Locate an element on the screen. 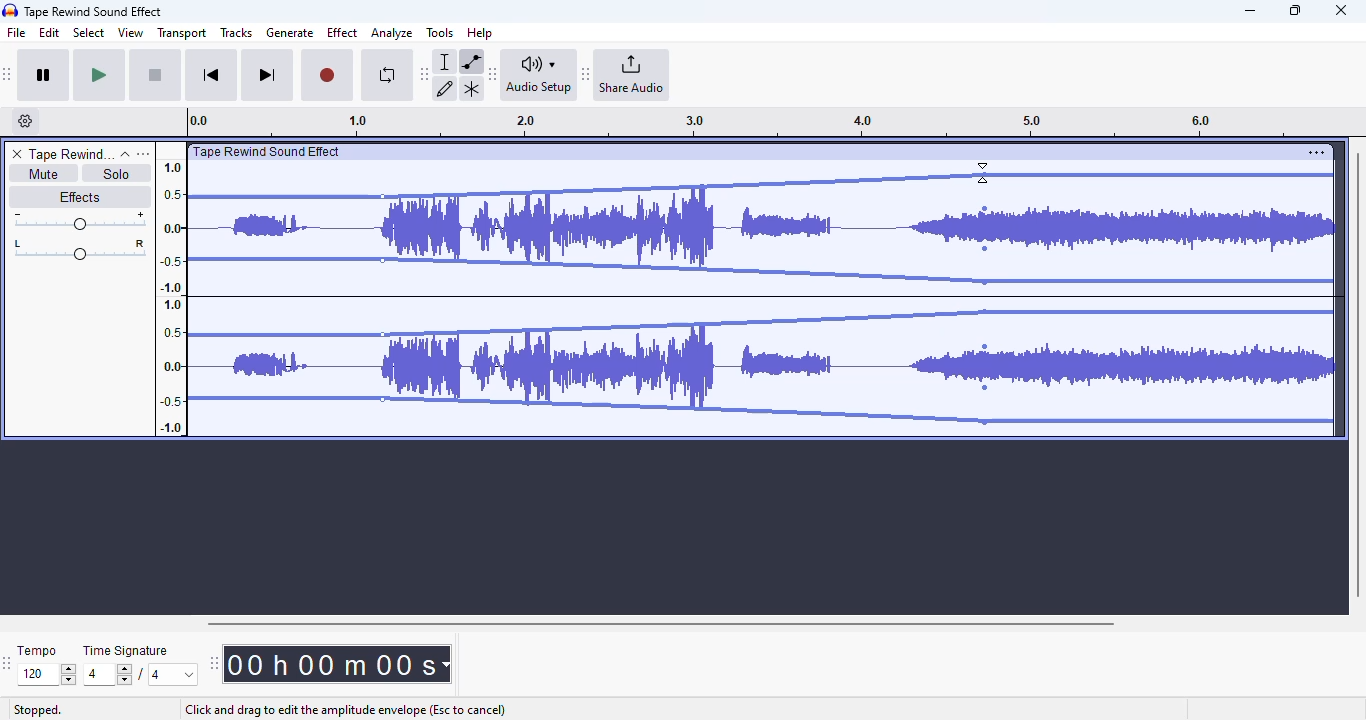  pause is located at coordinates (44, 76).